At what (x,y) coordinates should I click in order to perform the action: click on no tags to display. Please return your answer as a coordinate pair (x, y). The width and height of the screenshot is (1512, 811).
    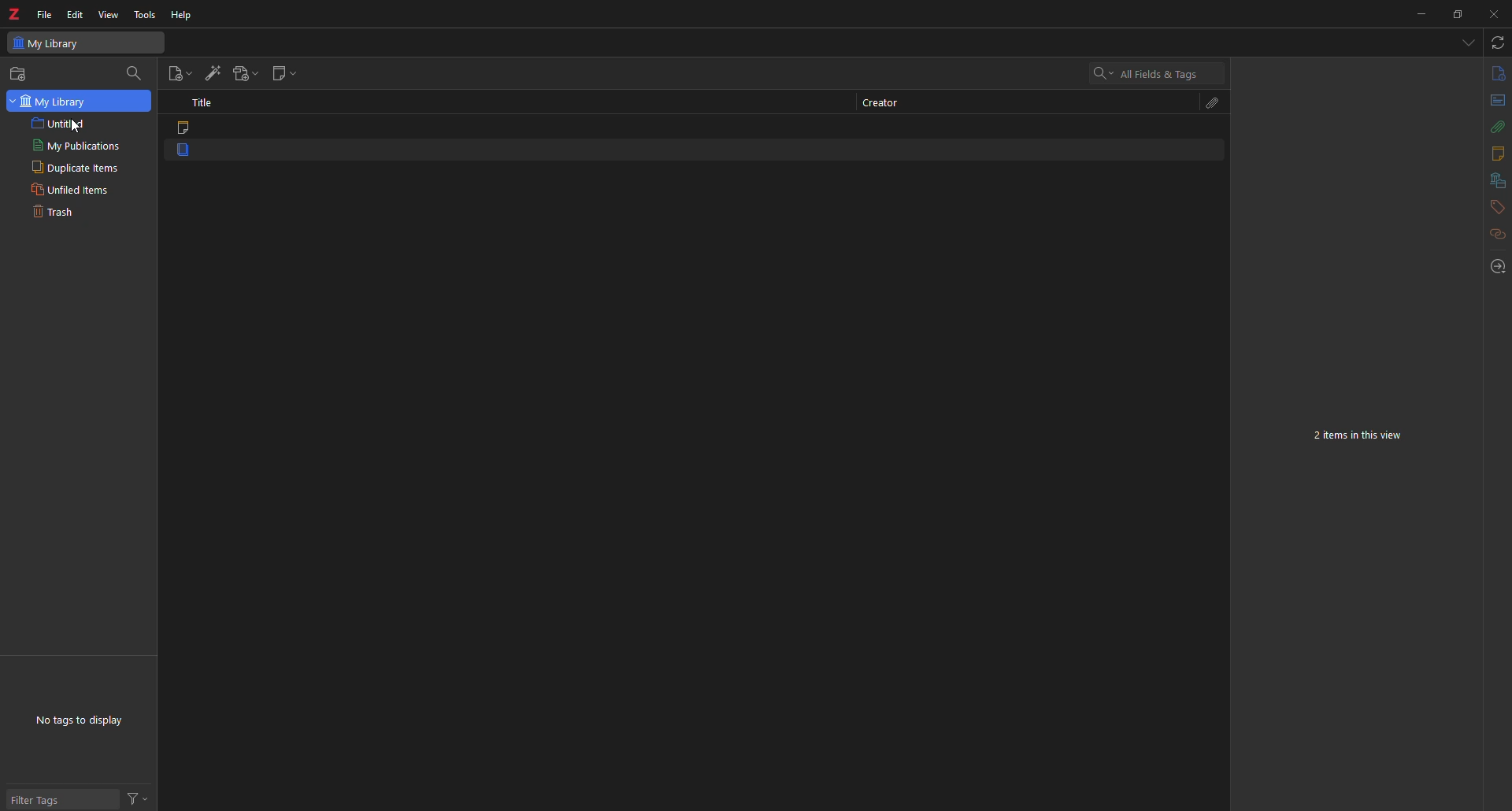
    Looking at the image, I should click on (72, 722).